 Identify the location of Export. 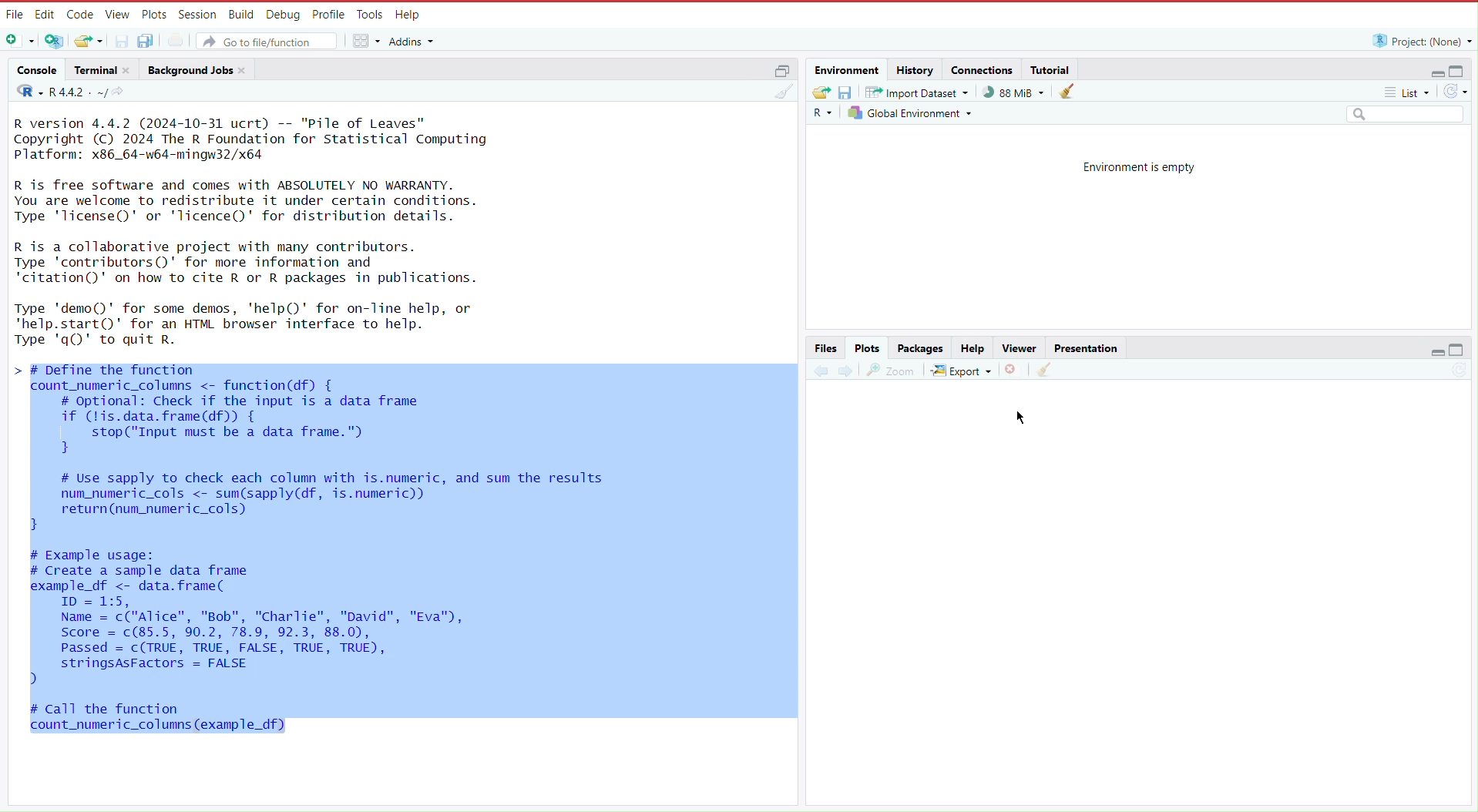
(962, 367).